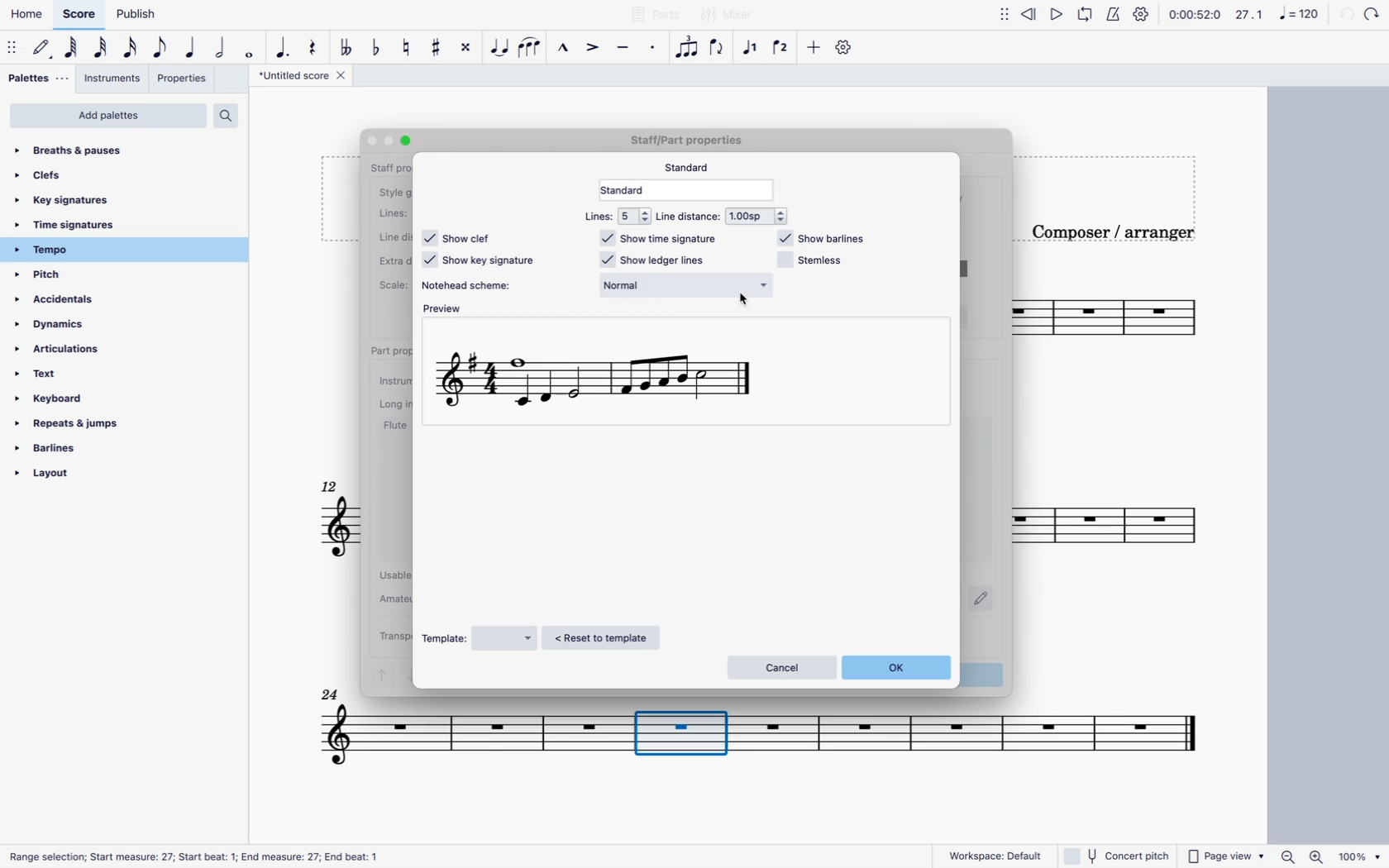 Image resolution: width=1389 pixels, height=868 pixels. What do you see at coordinates (250, 48) in the screenshot?
I see `full note` at bounding box center [250, 48].